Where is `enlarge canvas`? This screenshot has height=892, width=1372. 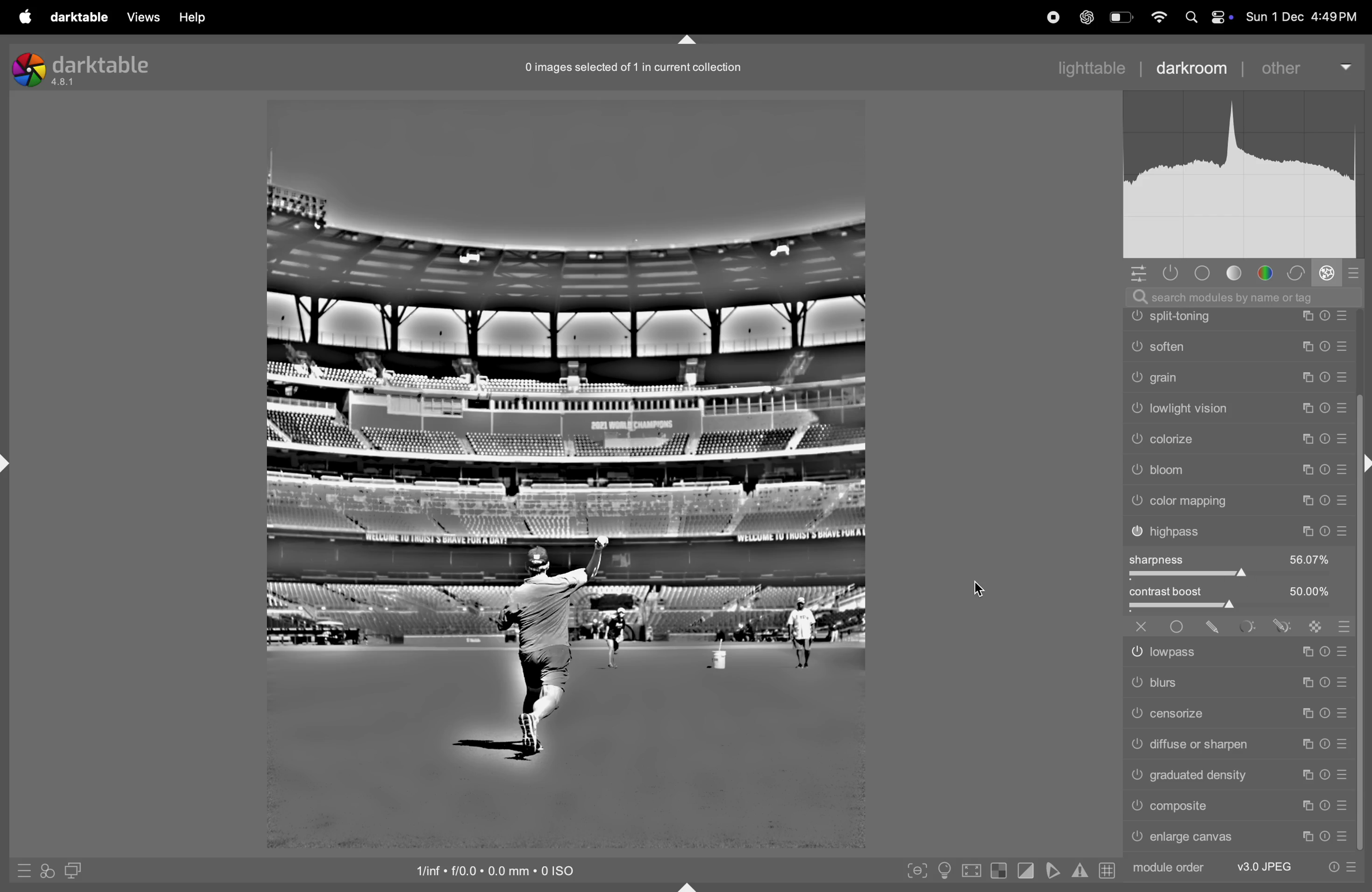 enlarge canvas is located at coordinates (1239, 838).